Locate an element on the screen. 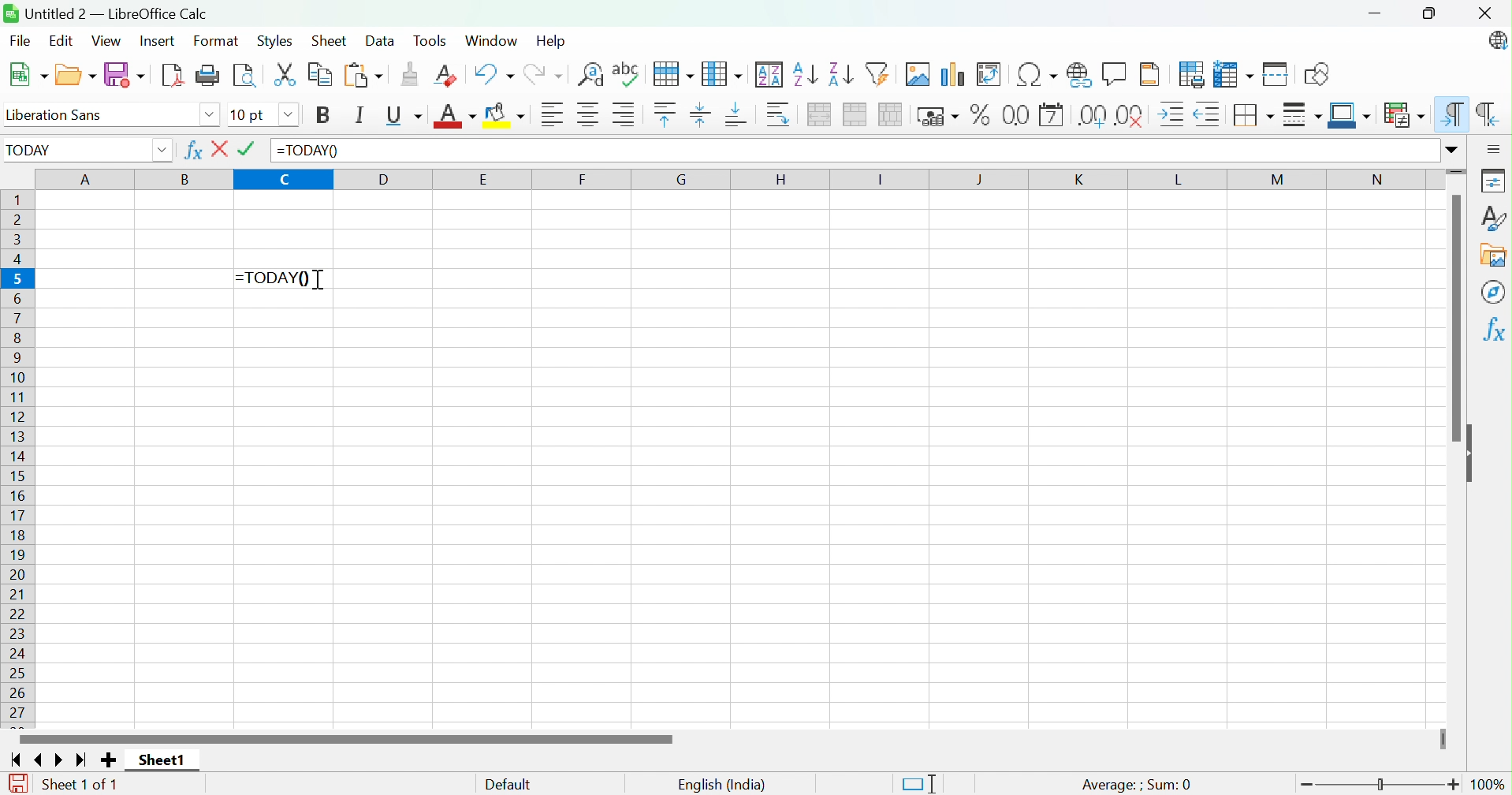 The height and width of the screenshot is (795, 1512). New is located at coordinates (29, 76).